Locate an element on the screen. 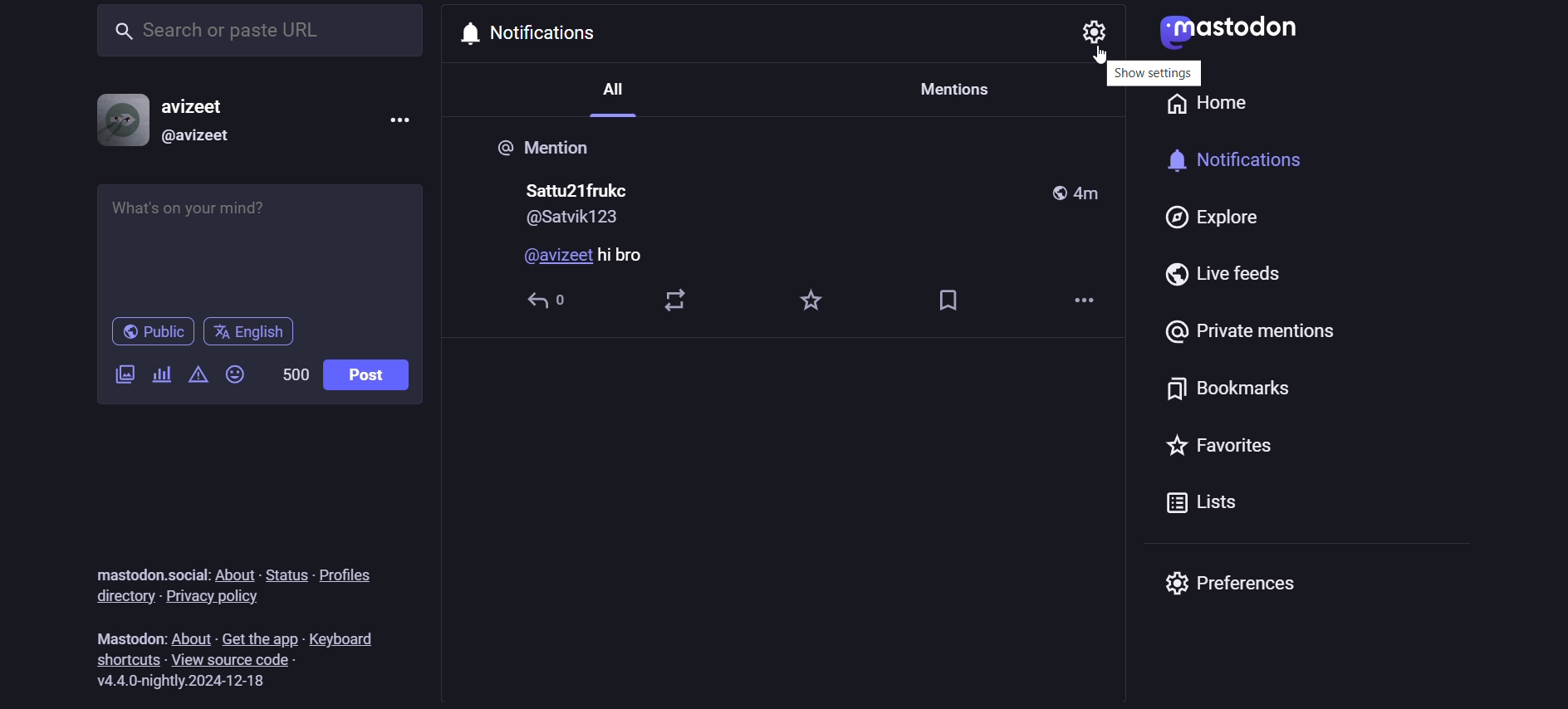  Public  is located at coordinates (152, 332).